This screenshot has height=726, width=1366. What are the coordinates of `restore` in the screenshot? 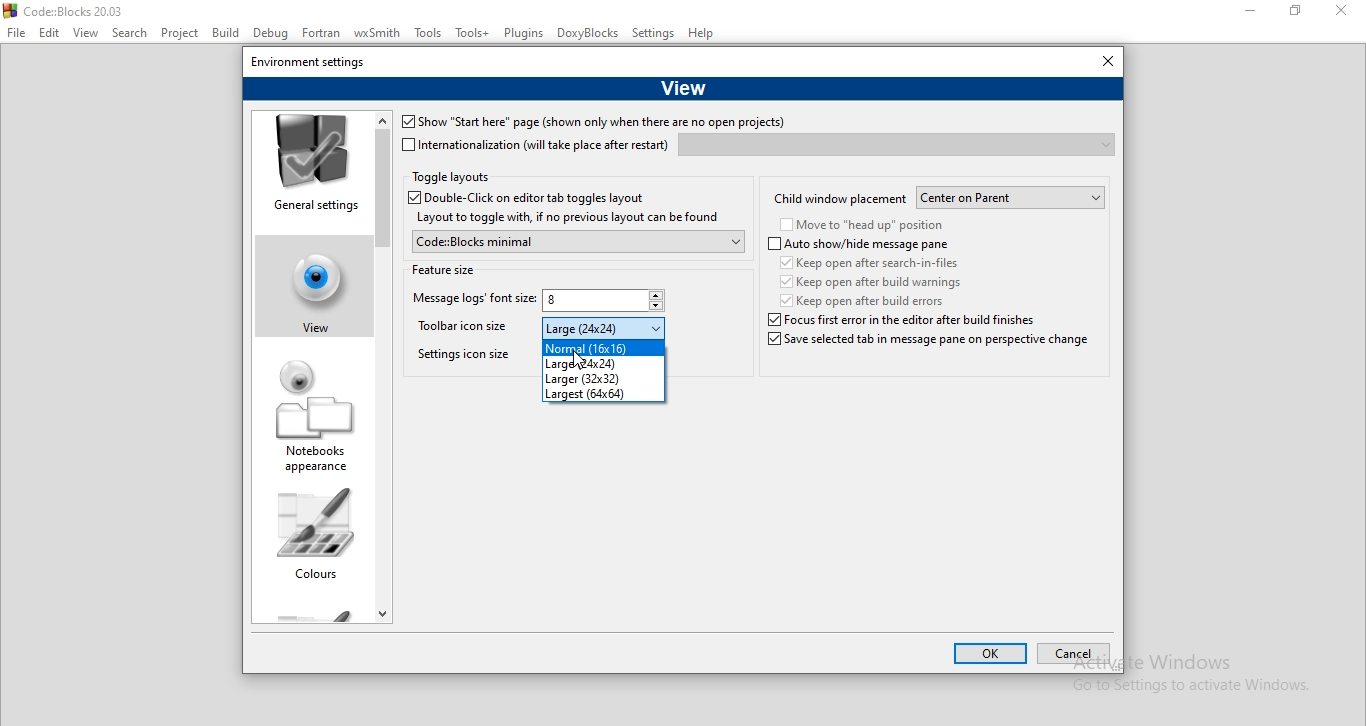 It's located at (1301, 13).